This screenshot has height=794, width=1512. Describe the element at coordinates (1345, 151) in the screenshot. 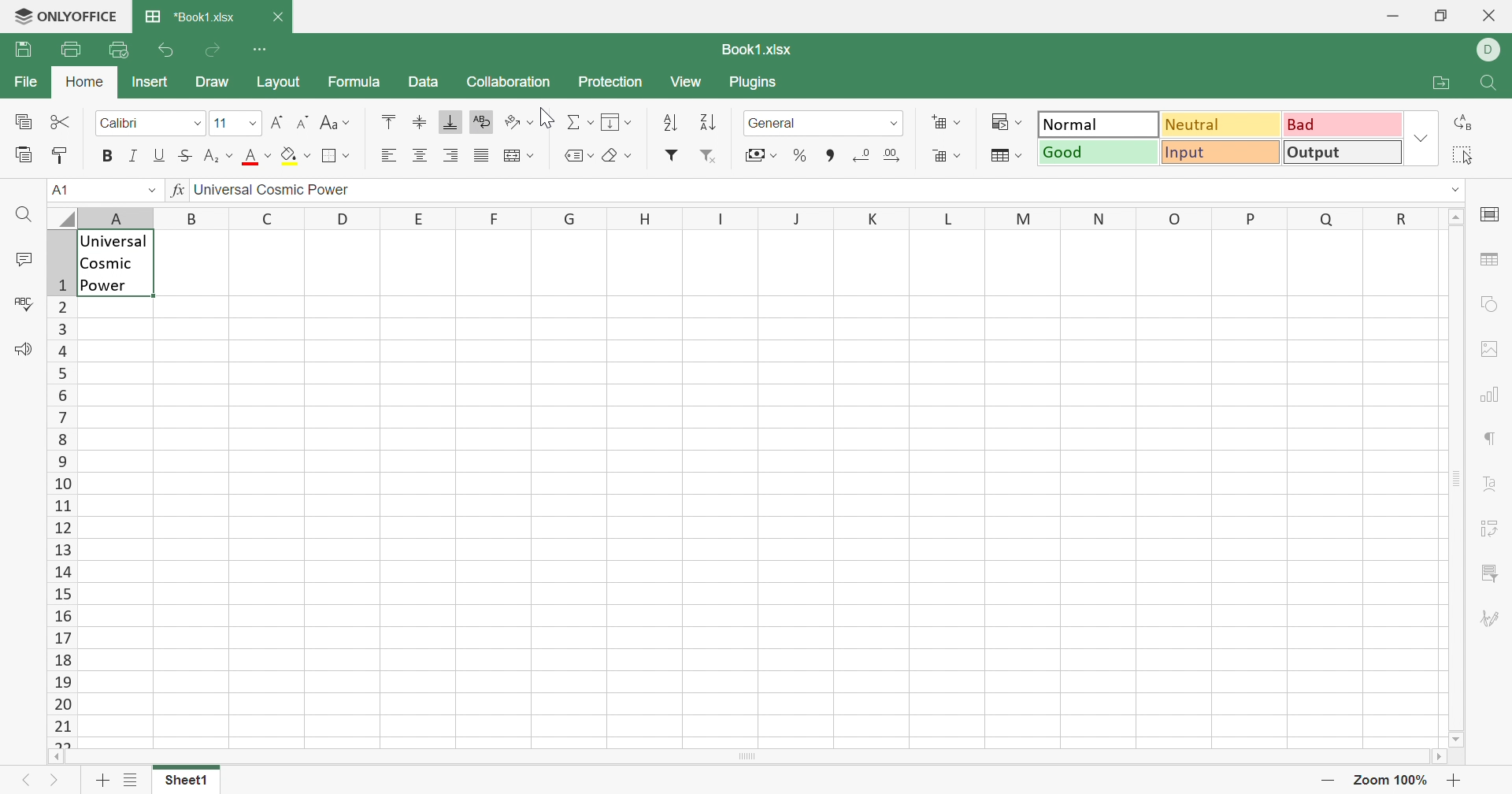

I see `Output` at that location.